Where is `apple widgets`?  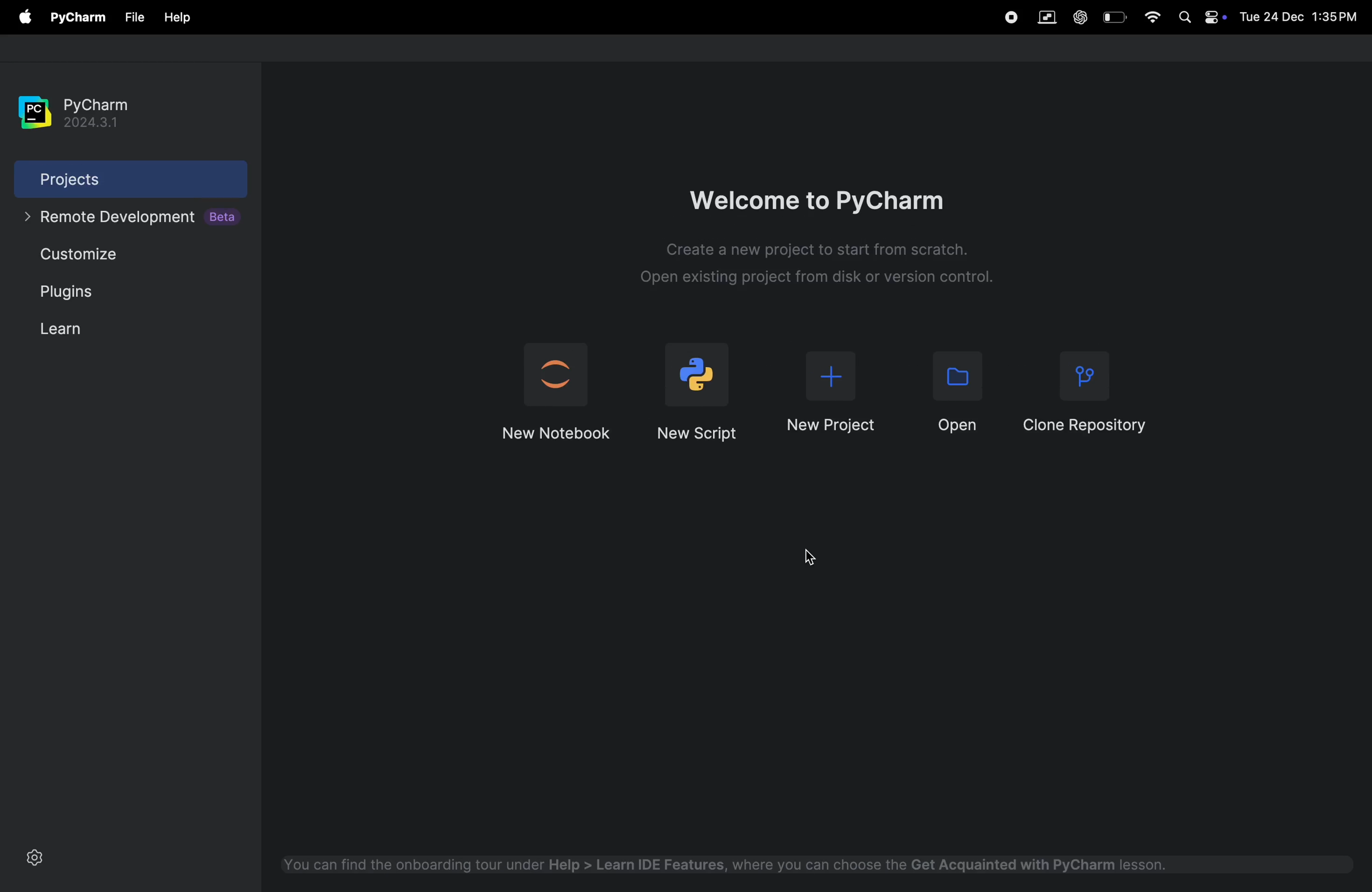
apple widgets is located at coordinates (1215, 16).